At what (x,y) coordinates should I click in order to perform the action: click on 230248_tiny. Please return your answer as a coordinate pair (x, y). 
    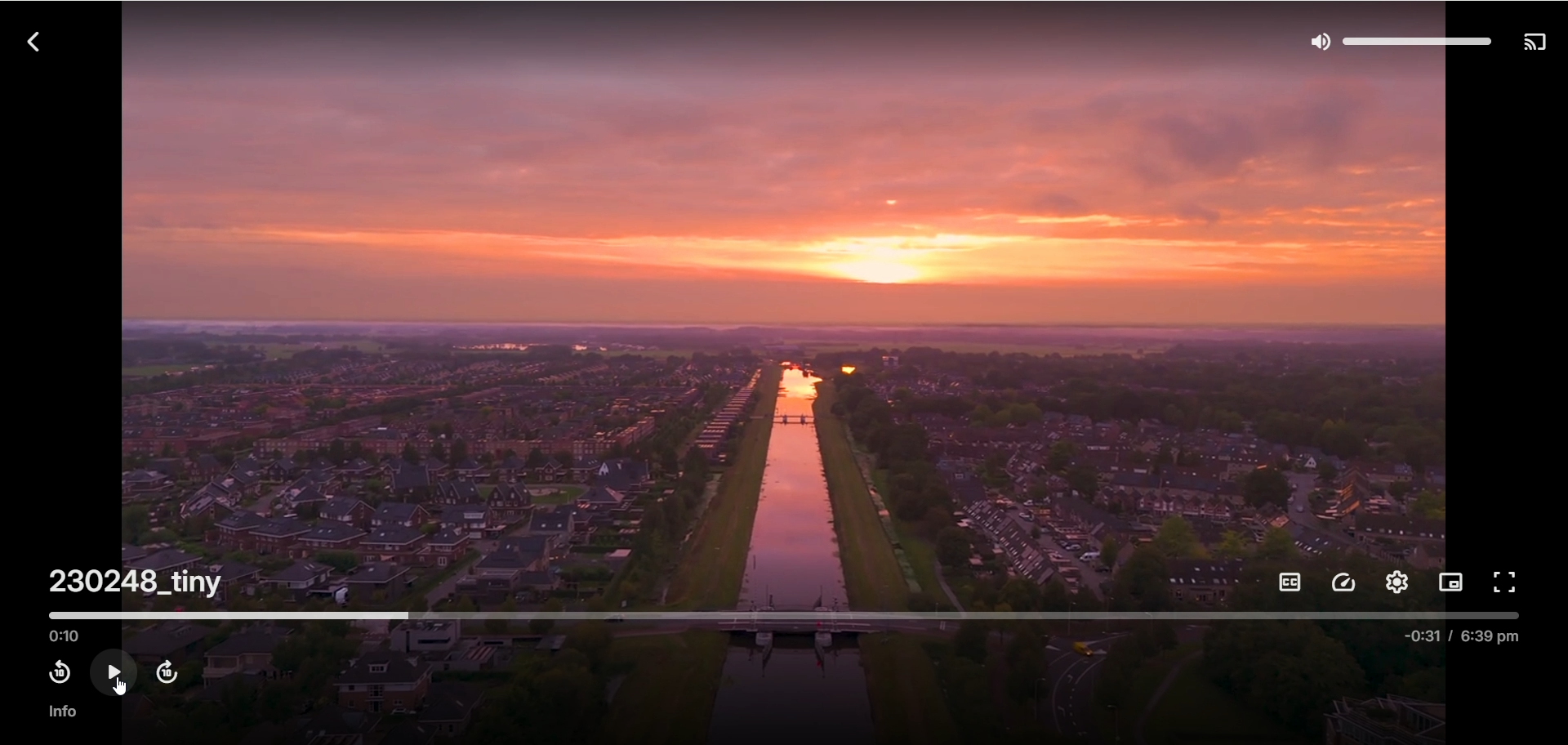
    Looking at the image, I should click on (131, 582).